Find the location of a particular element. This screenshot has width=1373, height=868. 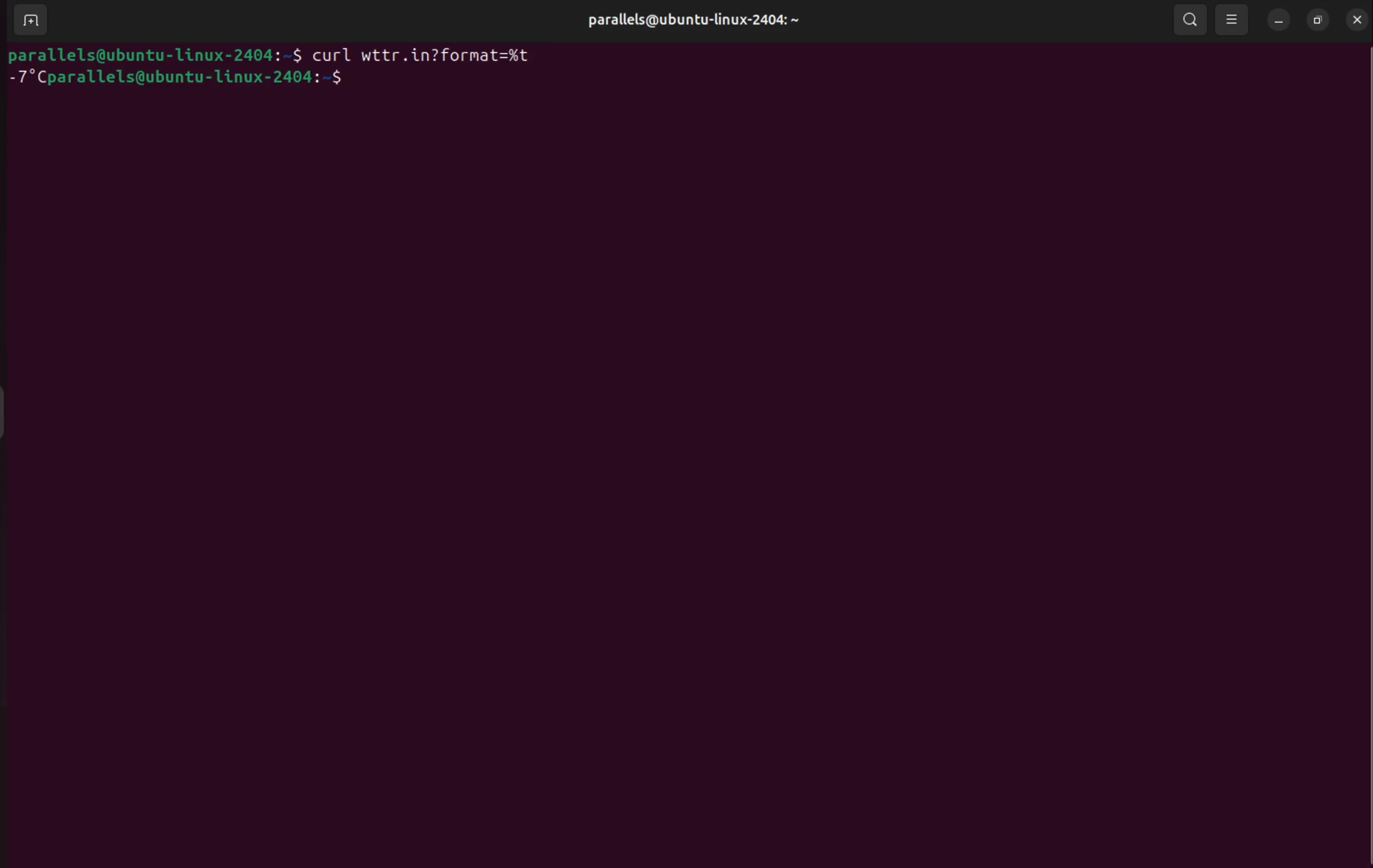

close is located at coordinates (1357, 19).